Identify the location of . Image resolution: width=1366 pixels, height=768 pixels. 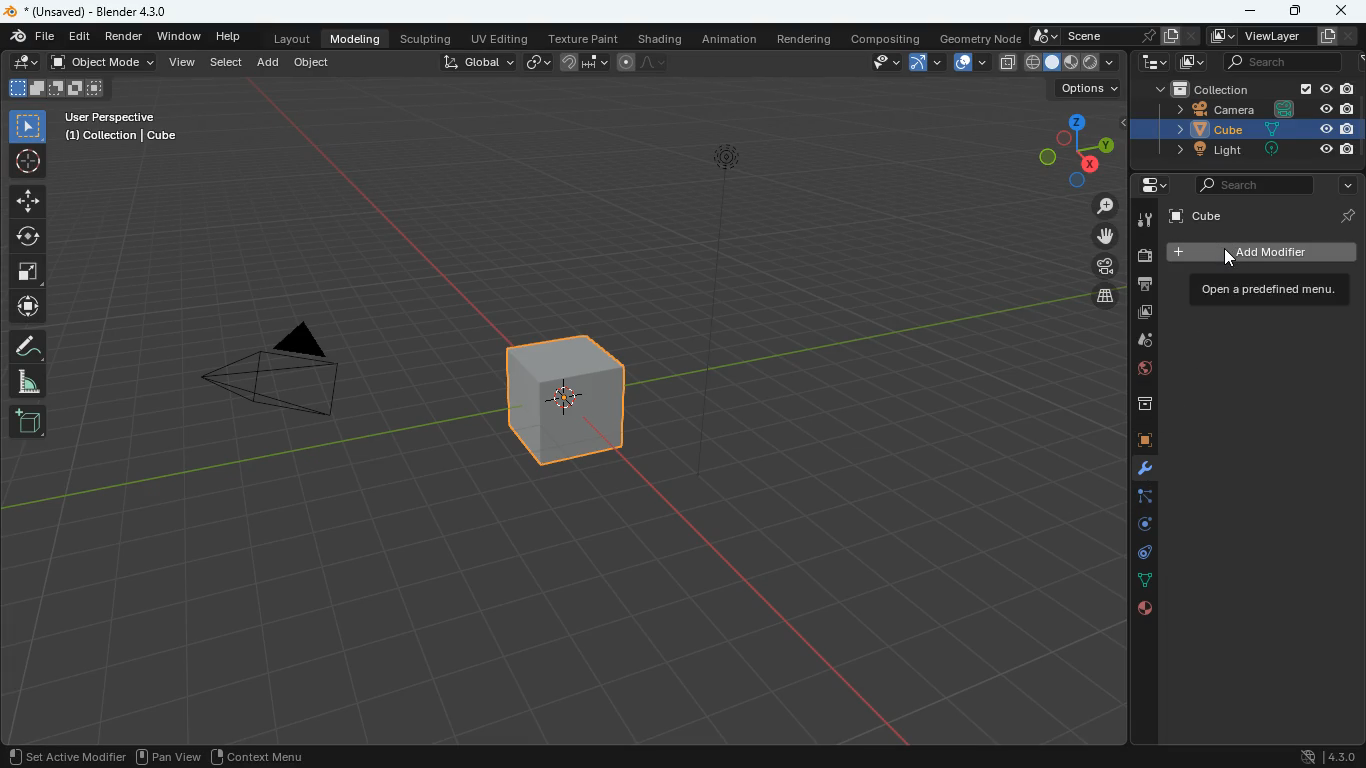
(1347, 150).